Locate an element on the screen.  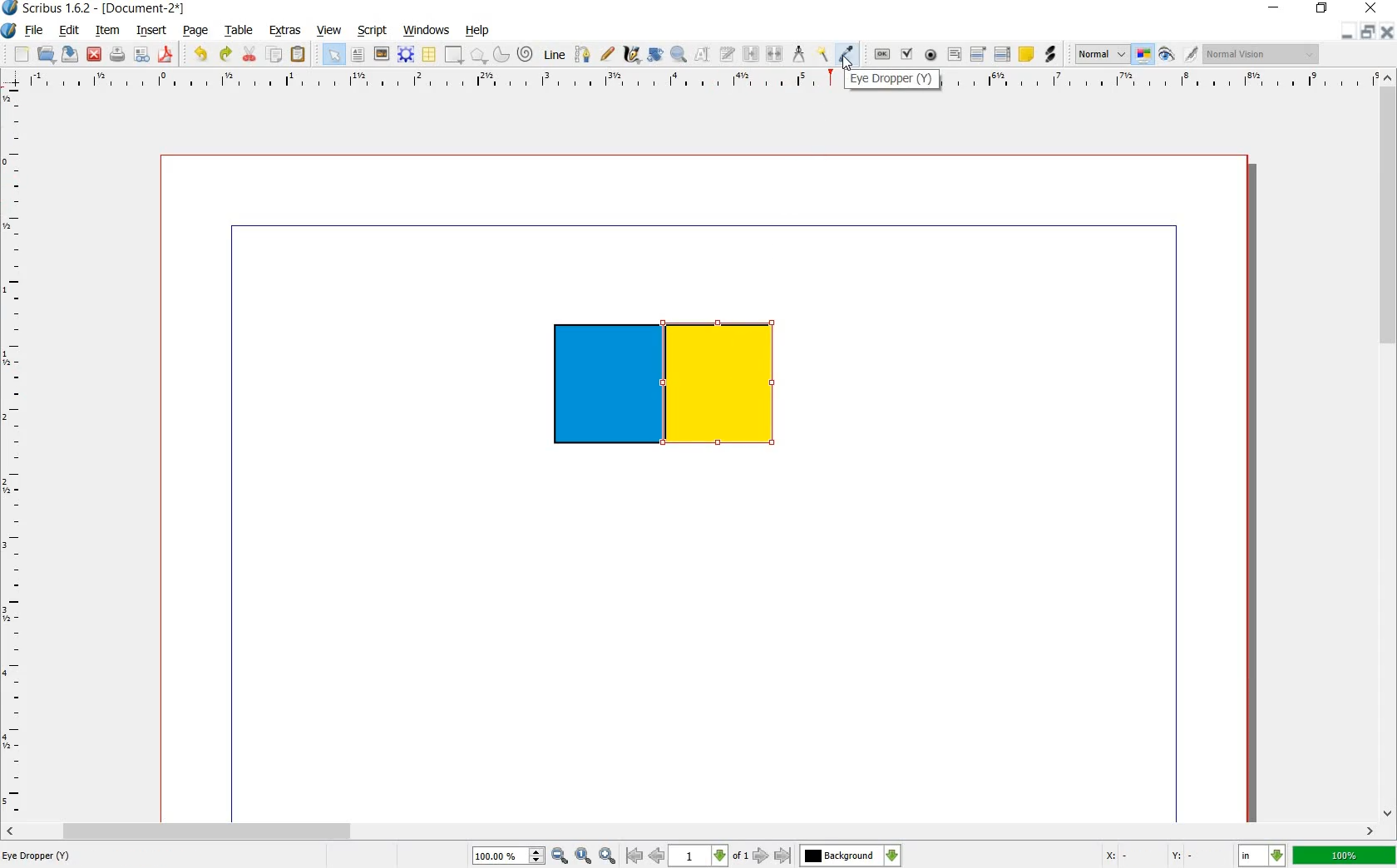
toggle color management system is located at coordinates (1143, 54).